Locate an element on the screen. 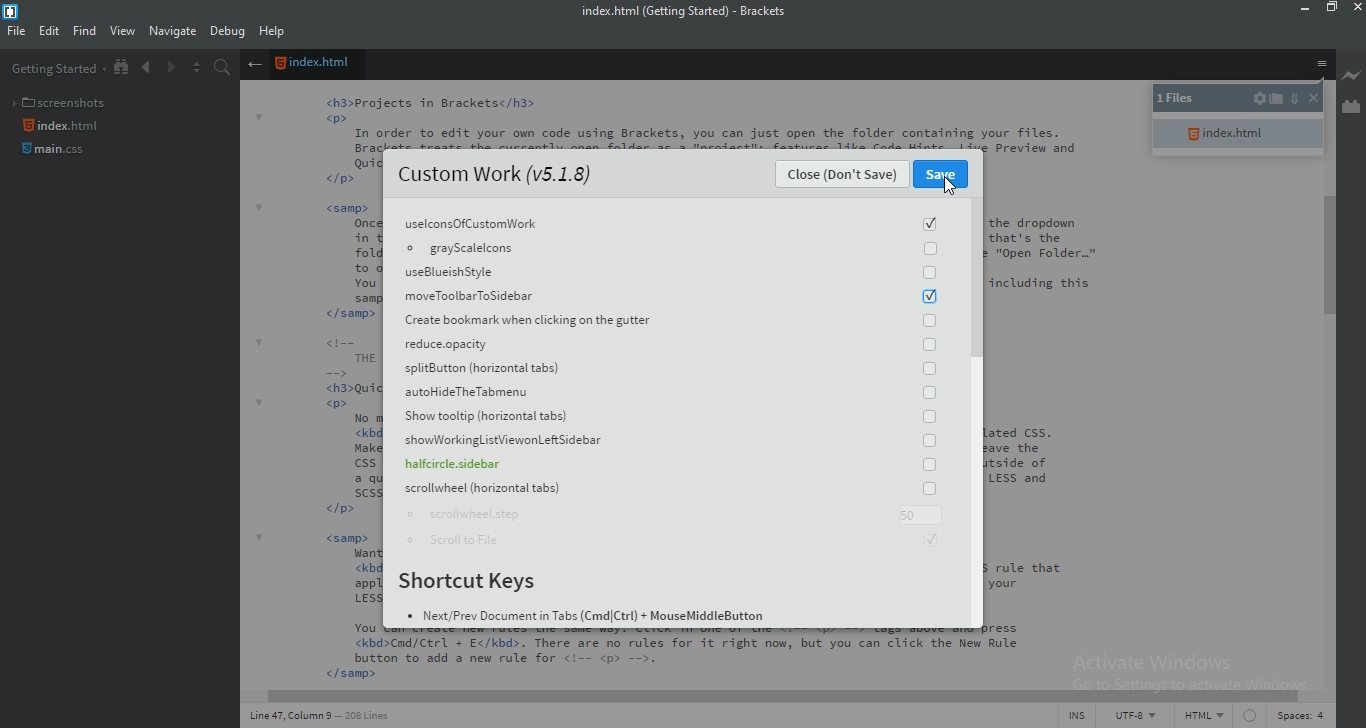 The width and height of the screenshot is (1366, 728). splitButton (horizontal tabs) is located at coordinates (668, 370).